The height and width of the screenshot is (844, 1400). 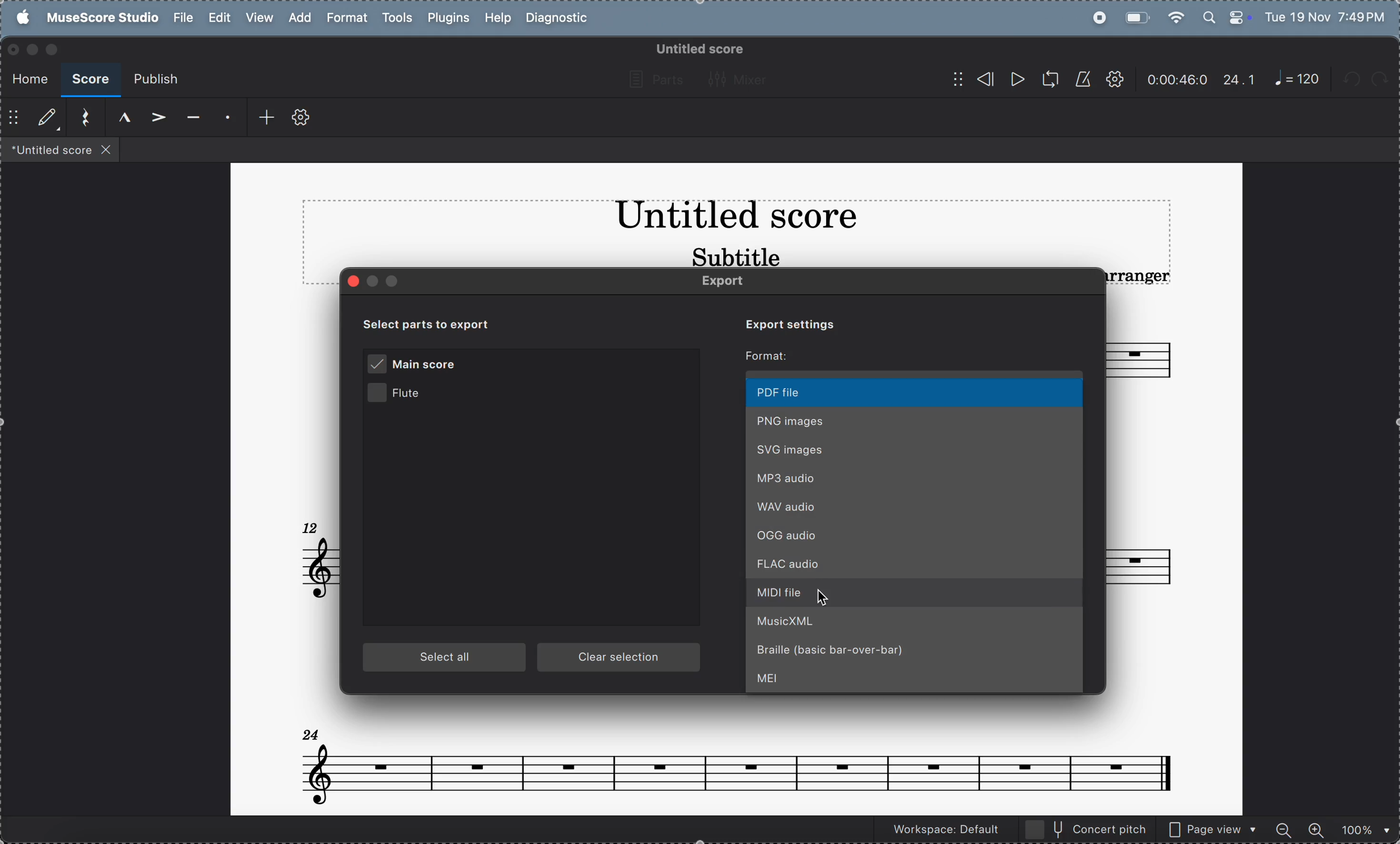 I want to click on timeframe, so click(x=1177, y=79).